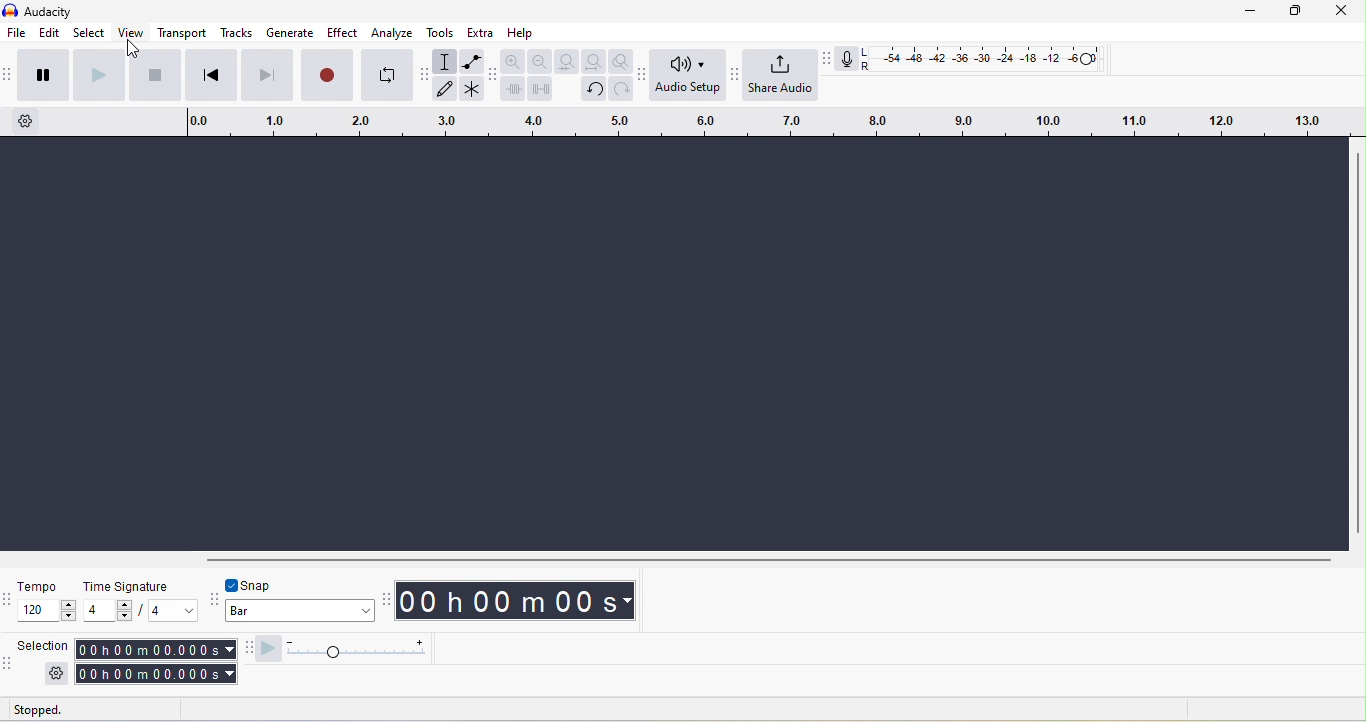 The height and width of the screenshot is (722, 1366). Describe the element at coordinates (37, 712) in the screenshot. I see `status: stopped` at that location.